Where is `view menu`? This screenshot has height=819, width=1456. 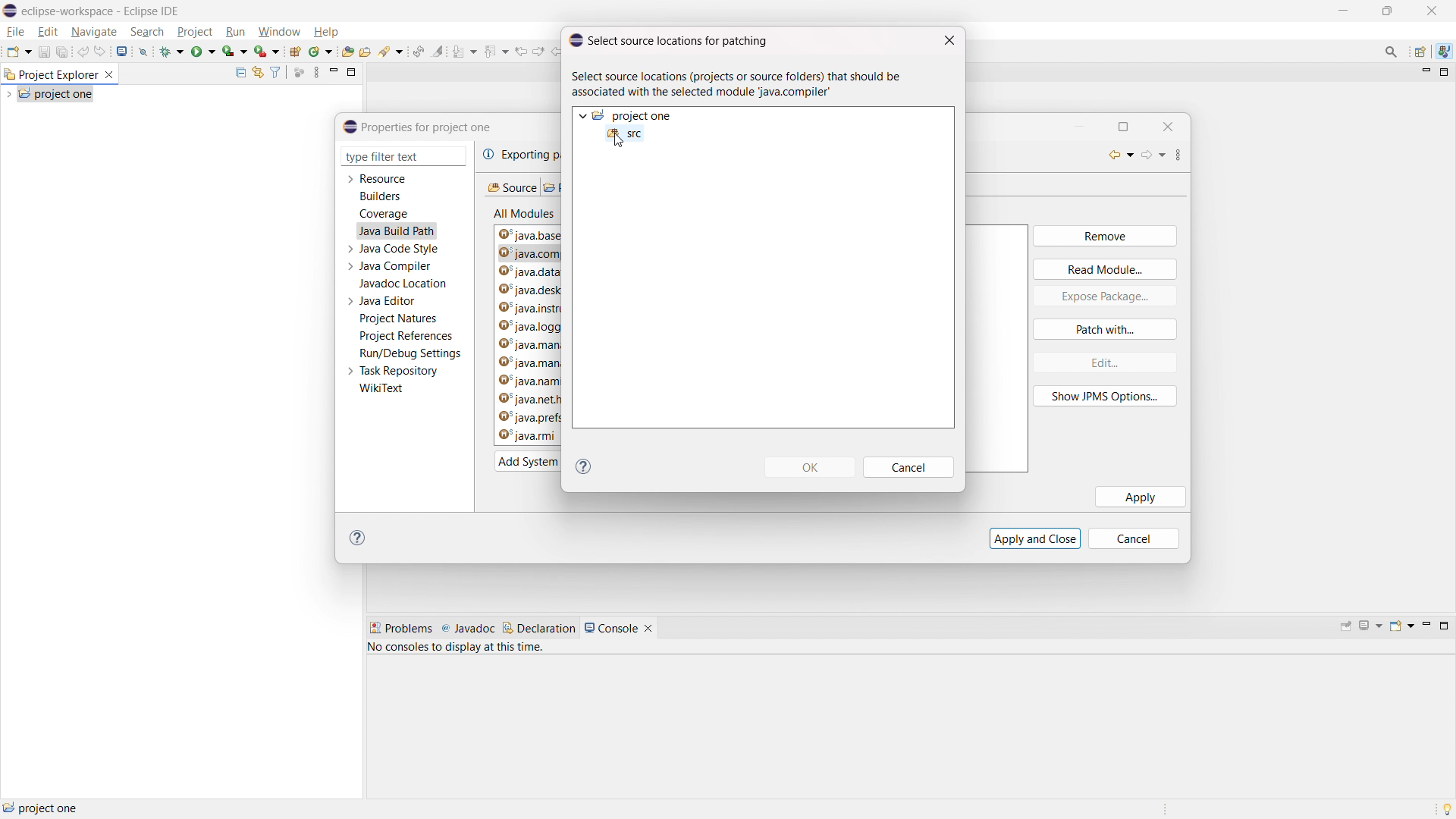 view menu is located at coordinates (316, 72).